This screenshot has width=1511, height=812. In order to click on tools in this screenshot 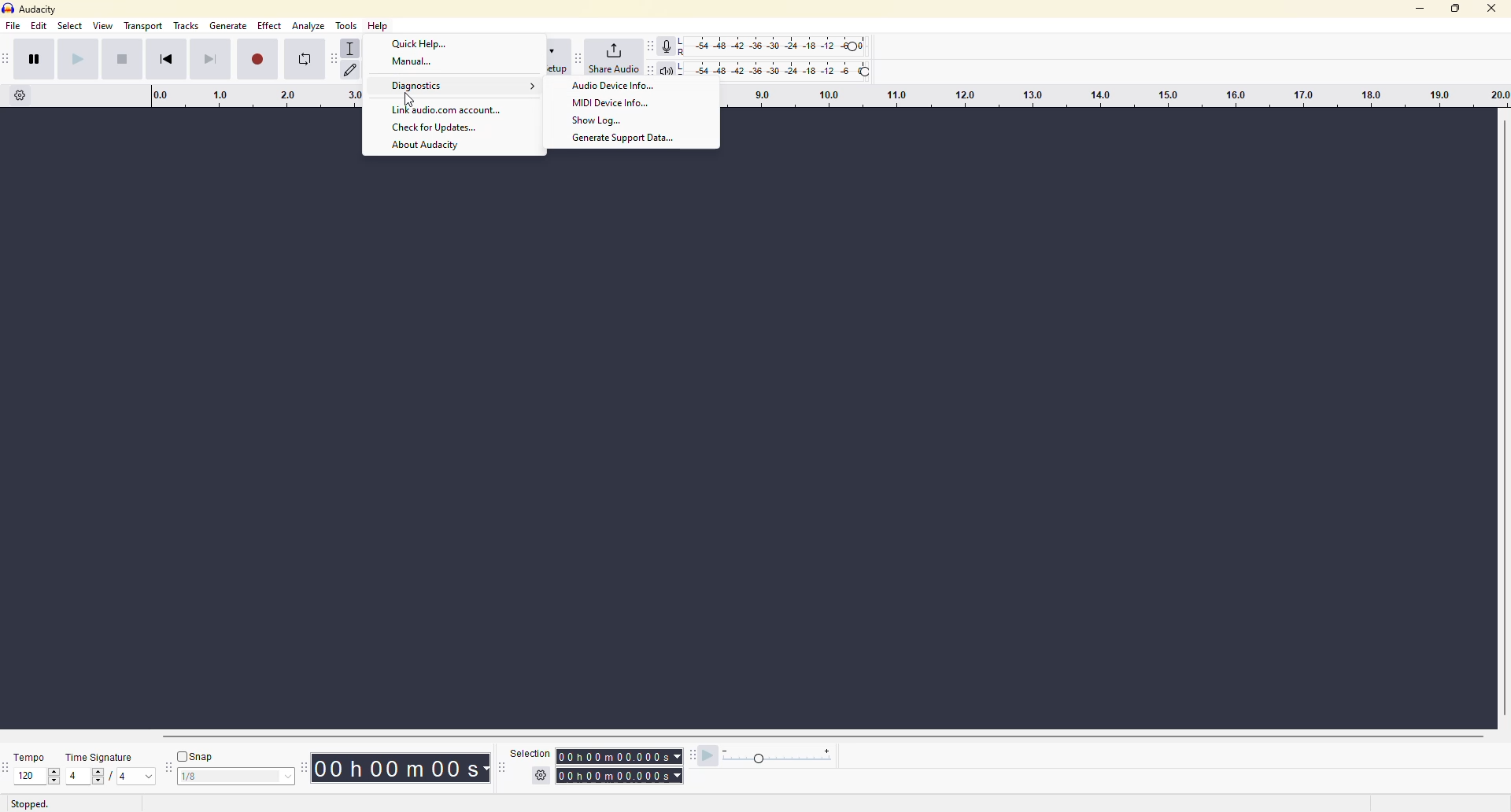, I will do `click(350, 23)`.